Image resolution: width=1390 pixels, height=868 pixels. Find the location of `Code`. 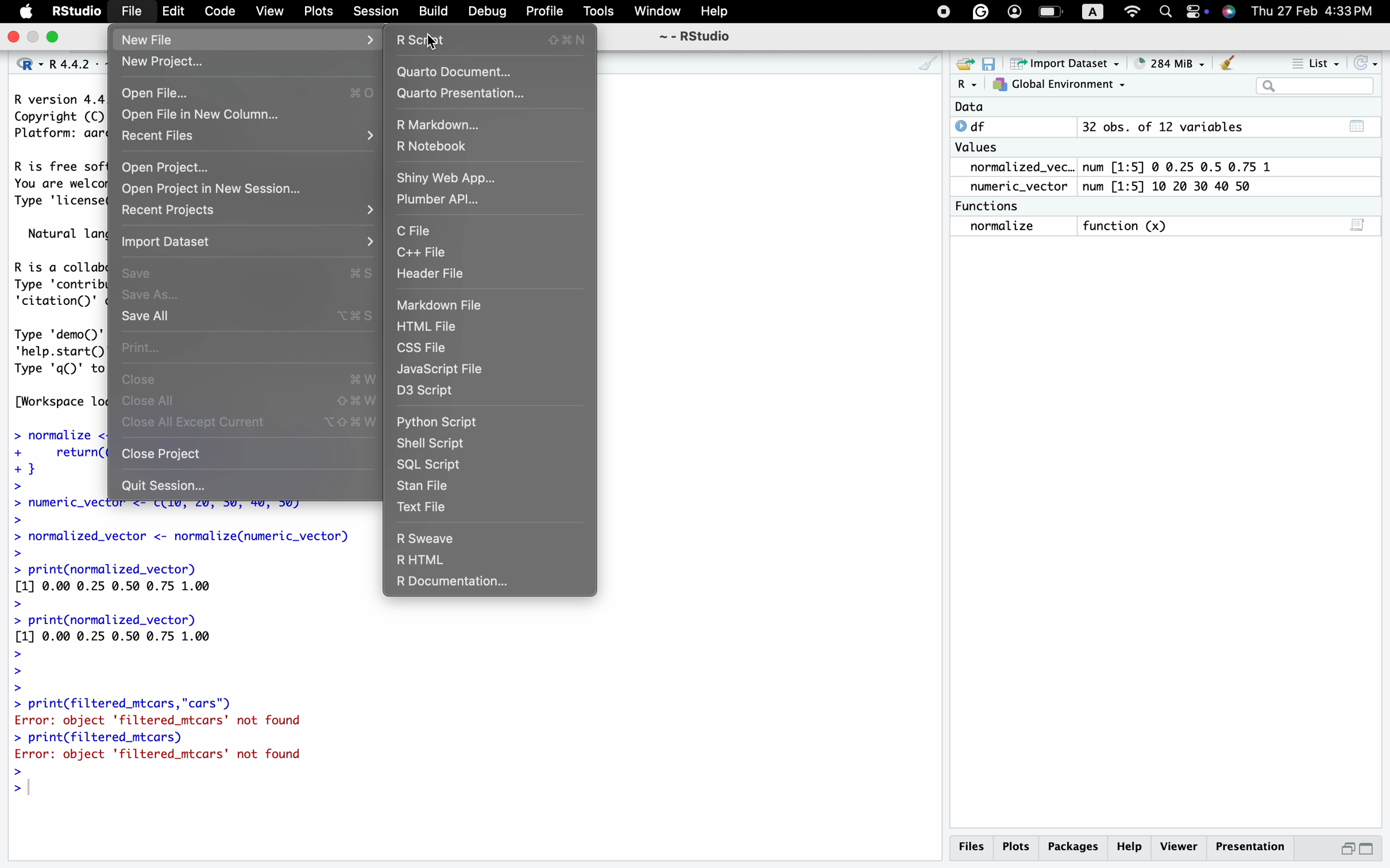

Code is located at coordinates (218, 9).